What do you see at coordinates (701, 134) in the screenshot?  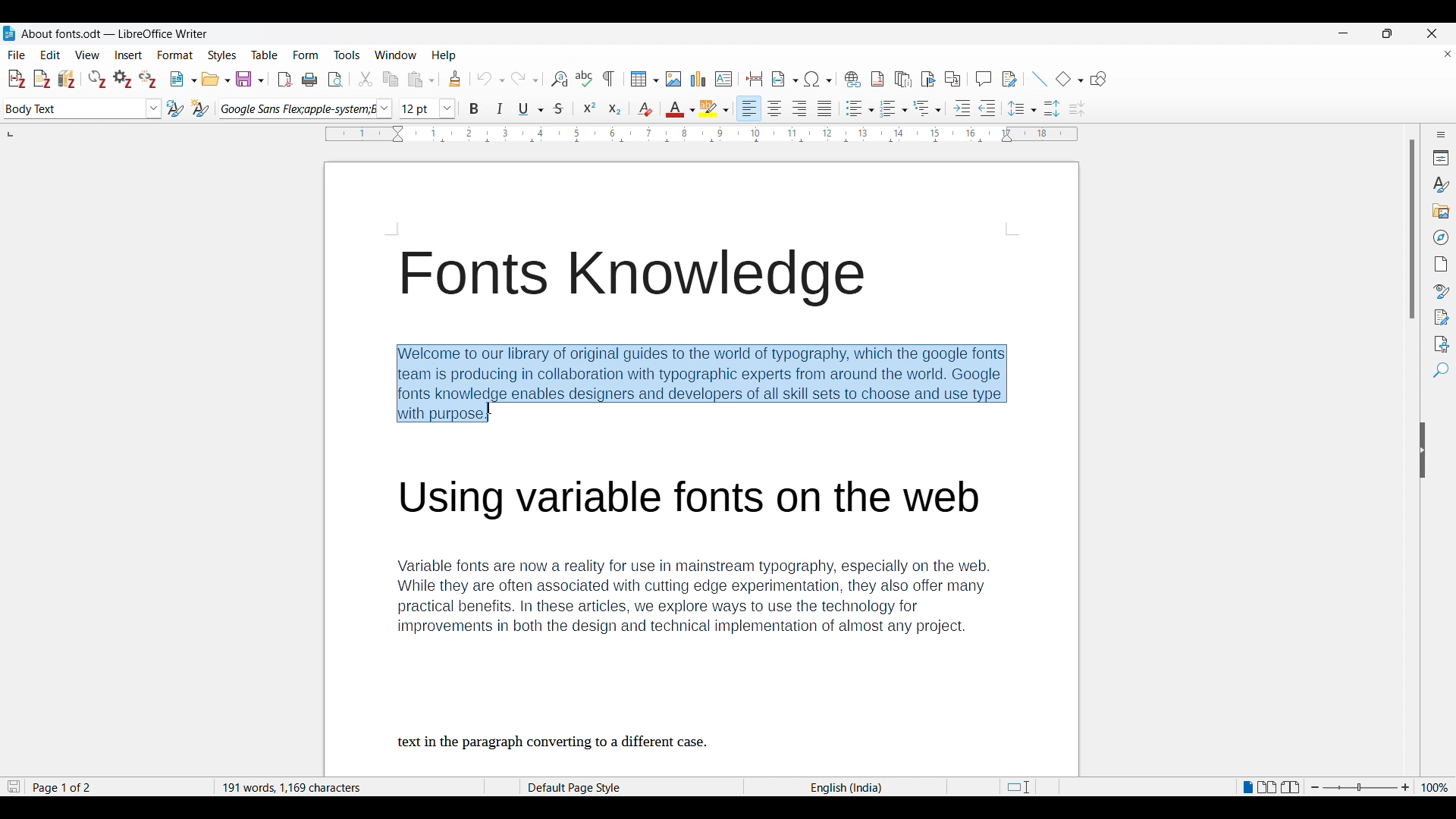 I see `Horizontal scale` at bounding box center [701, 134].